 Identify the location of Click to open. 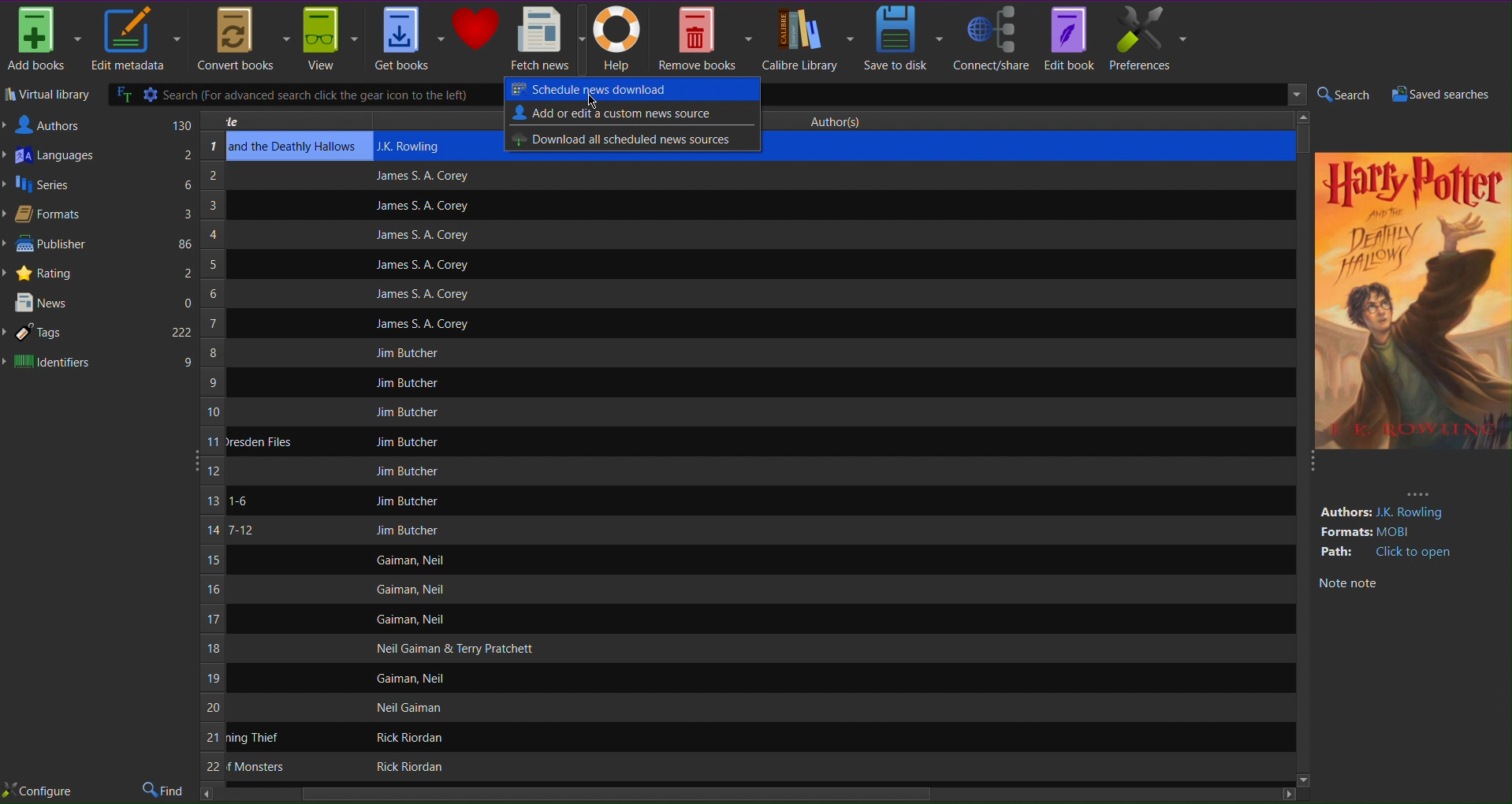
(1415, 553).